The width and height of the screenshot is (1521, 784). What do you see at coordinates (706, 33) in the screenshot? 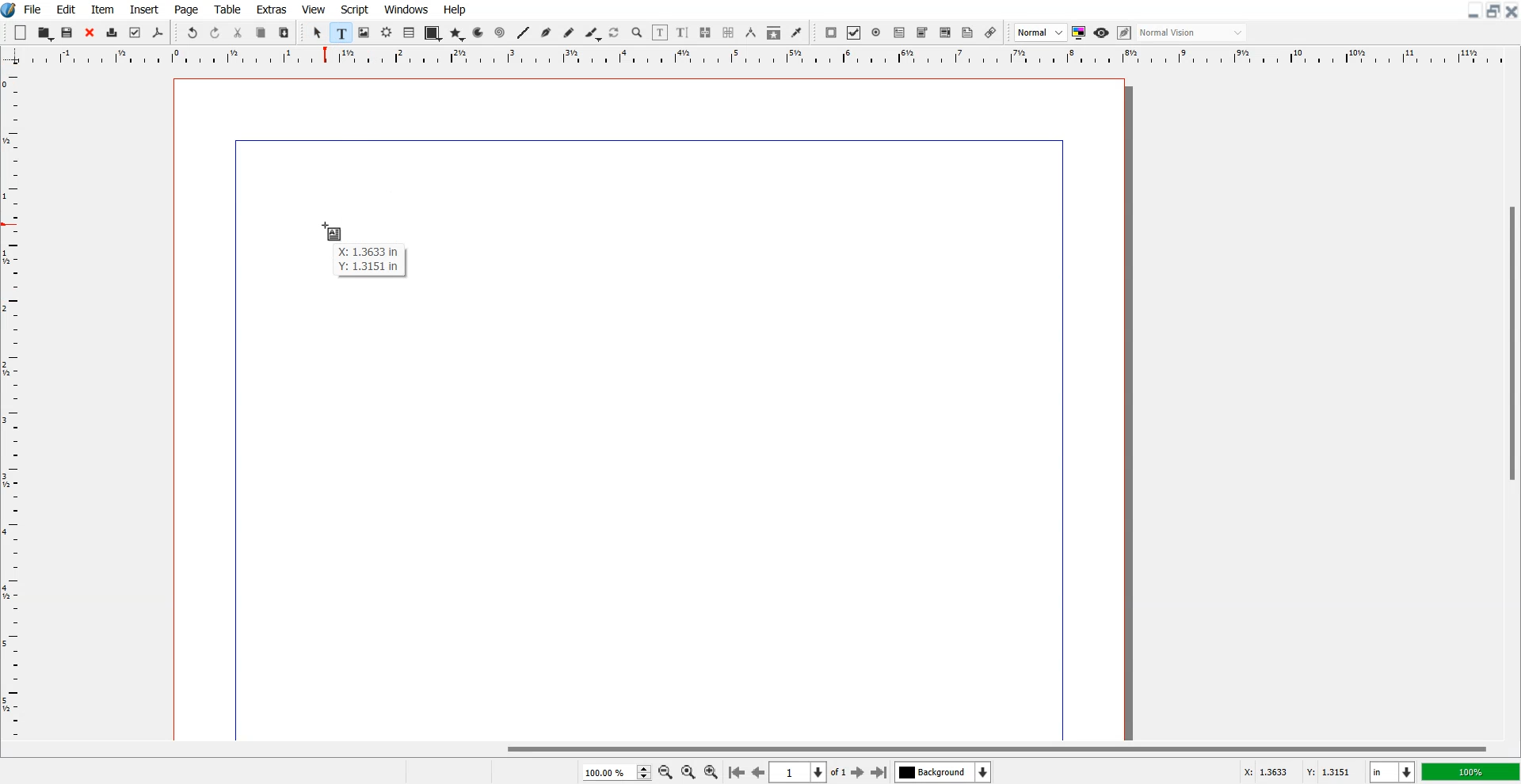
I see `Link text frame` at bounding box center [706, 33].